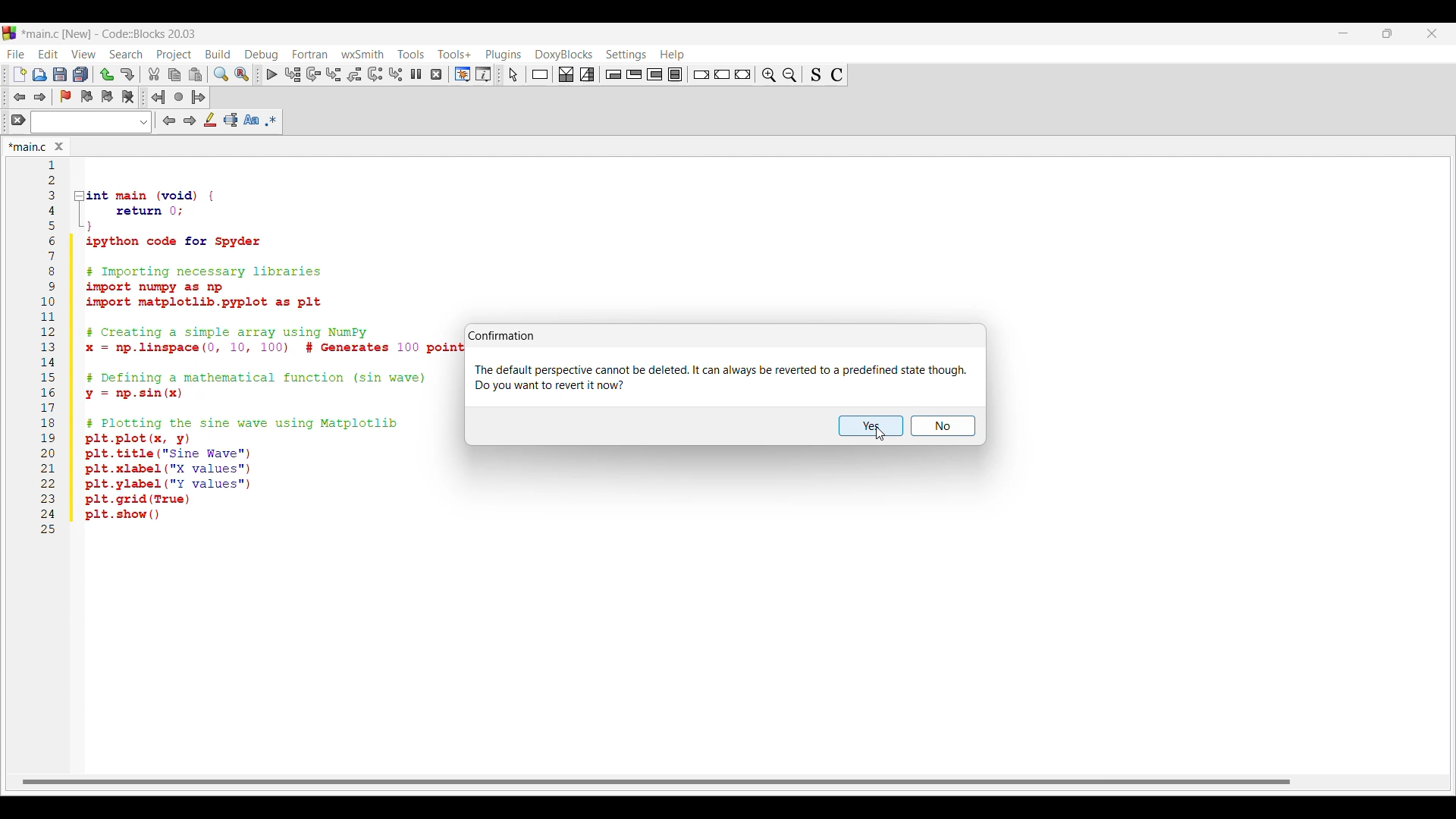 This screenshot has height=819, width=1456. I want to click on Return instruction, so click(743, 74).